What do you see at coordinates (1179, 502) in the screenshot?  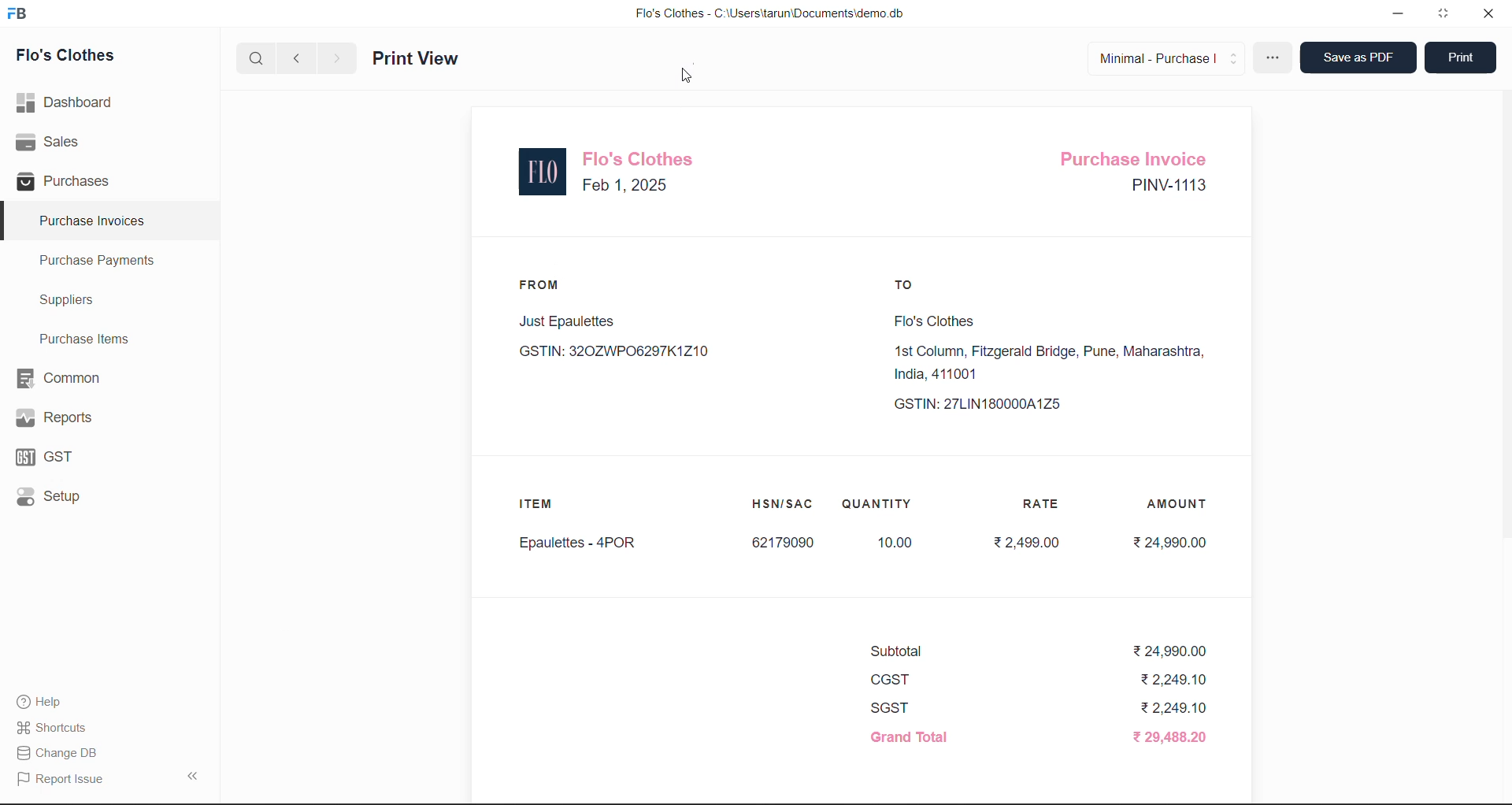 I see ` AMOUNT` at bounding box center [1179, 502].